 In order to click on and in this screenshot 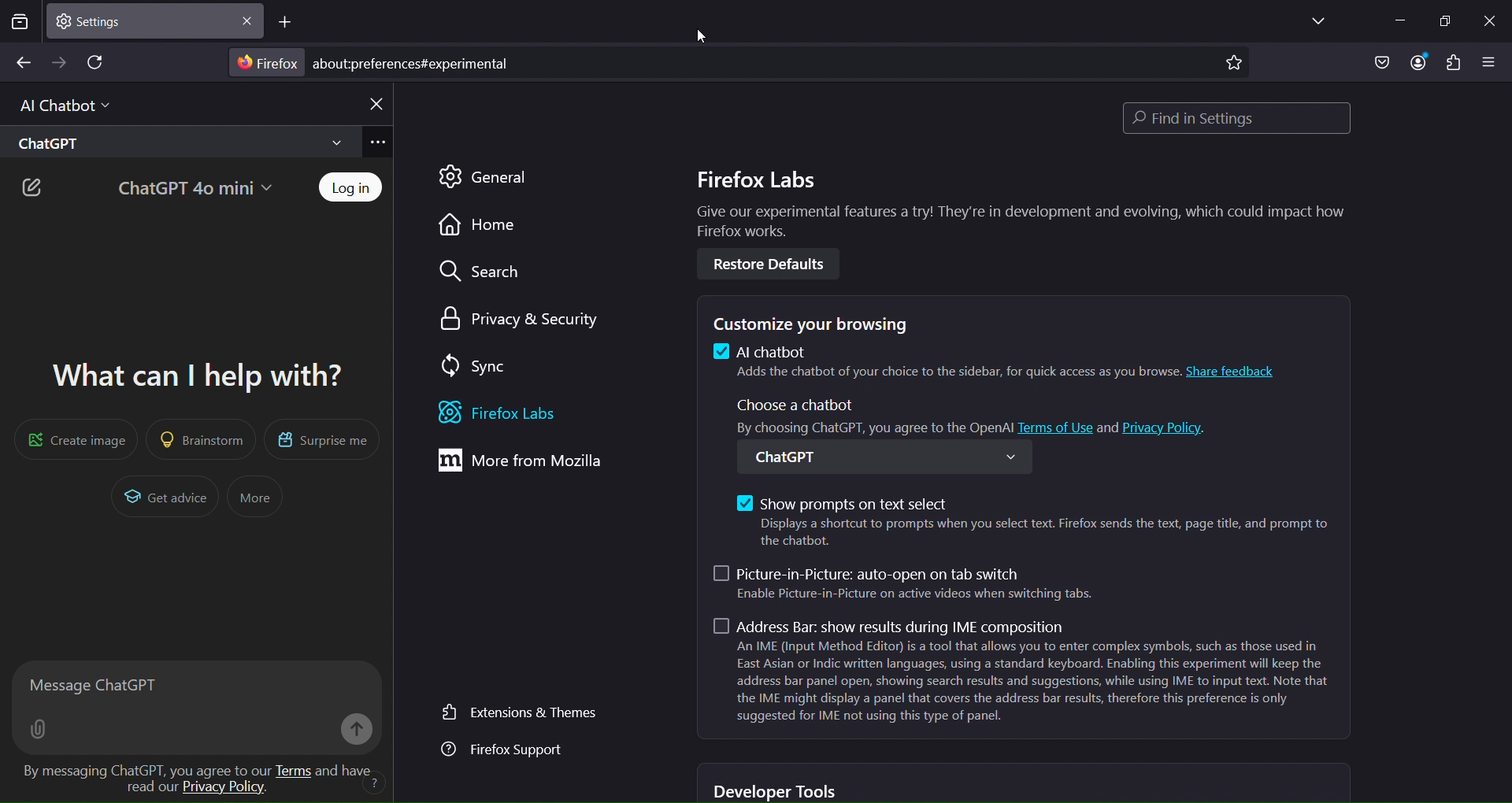, I will do `click(1107, 426)`.